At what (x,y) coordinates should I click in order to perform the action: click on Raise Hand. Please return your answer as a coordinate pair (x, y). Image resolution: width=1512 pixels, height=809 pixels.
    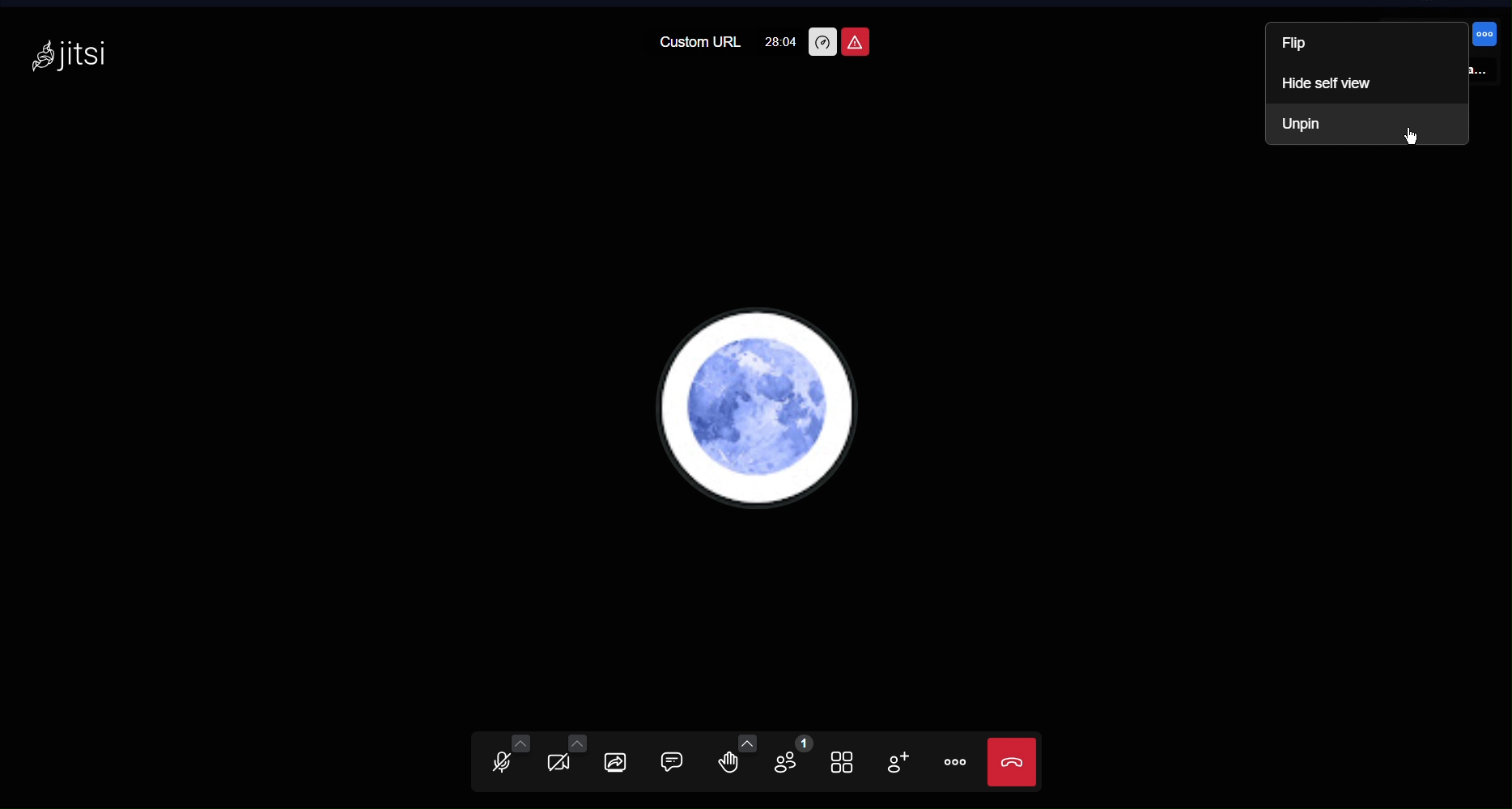
    Looking at the image, I should click on (735, 760).